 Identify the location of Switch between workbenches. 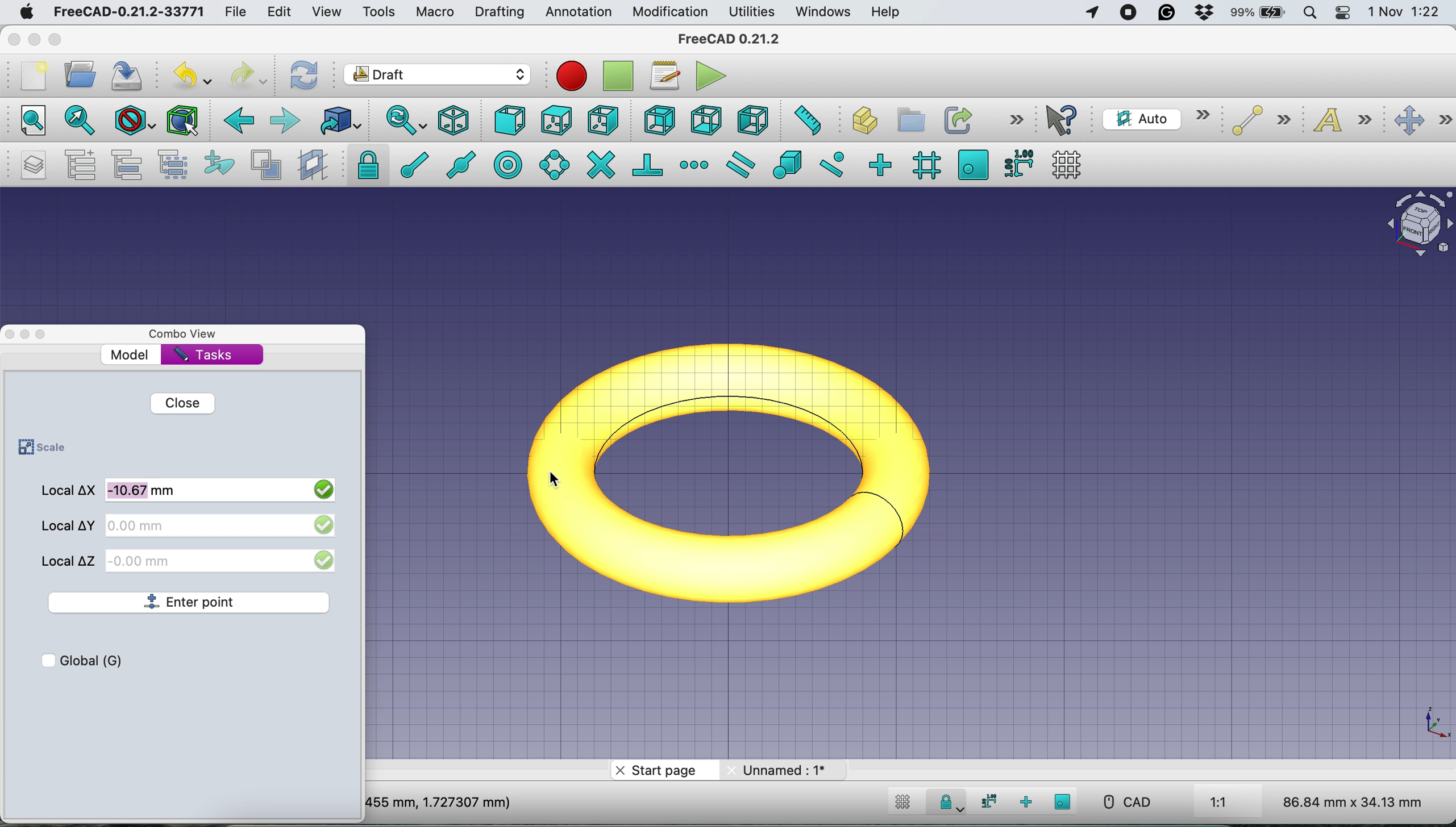
(437, 76).